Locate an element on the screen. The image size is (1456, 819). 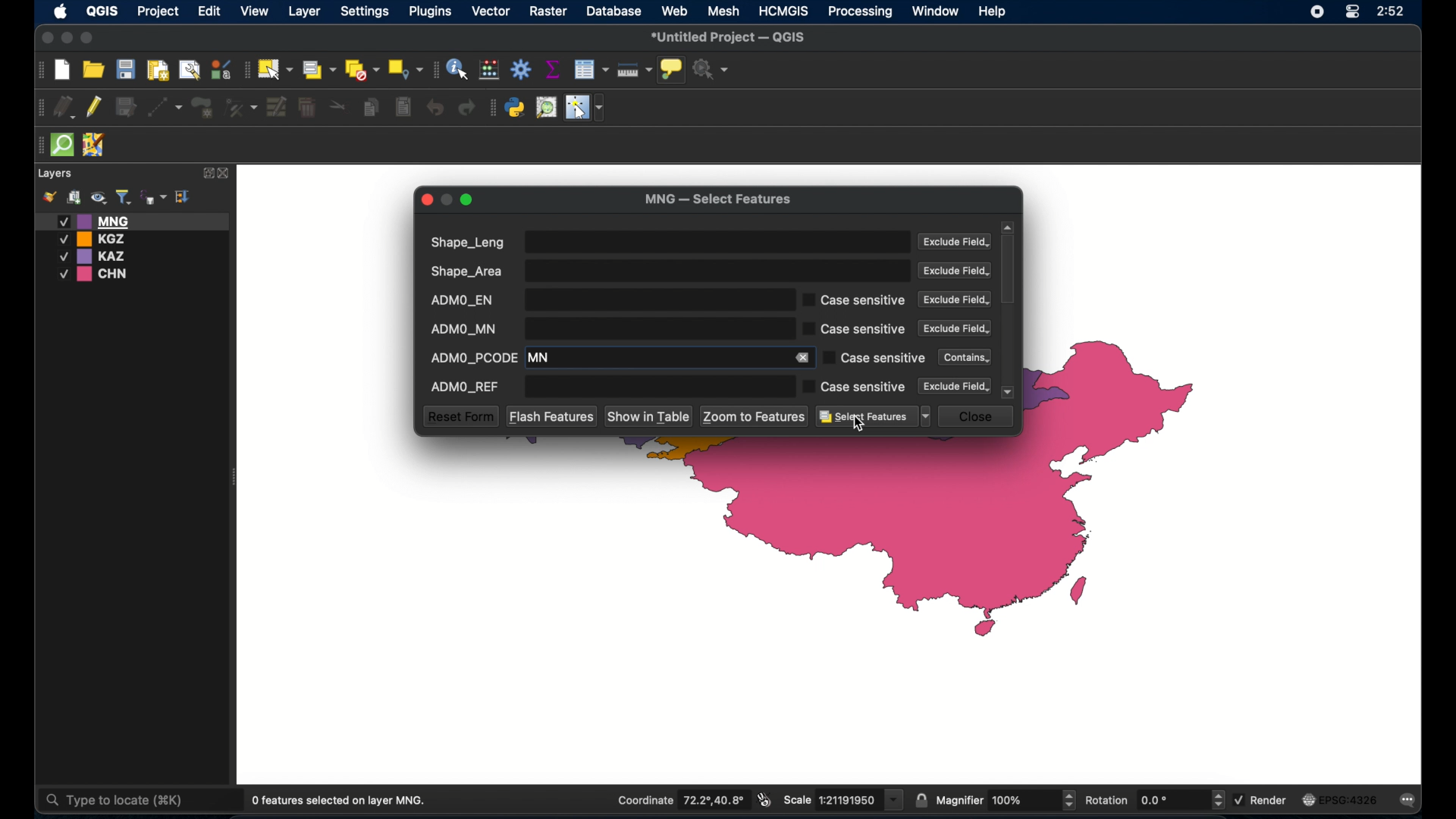
apple icon is located at coordinates (59, 13).